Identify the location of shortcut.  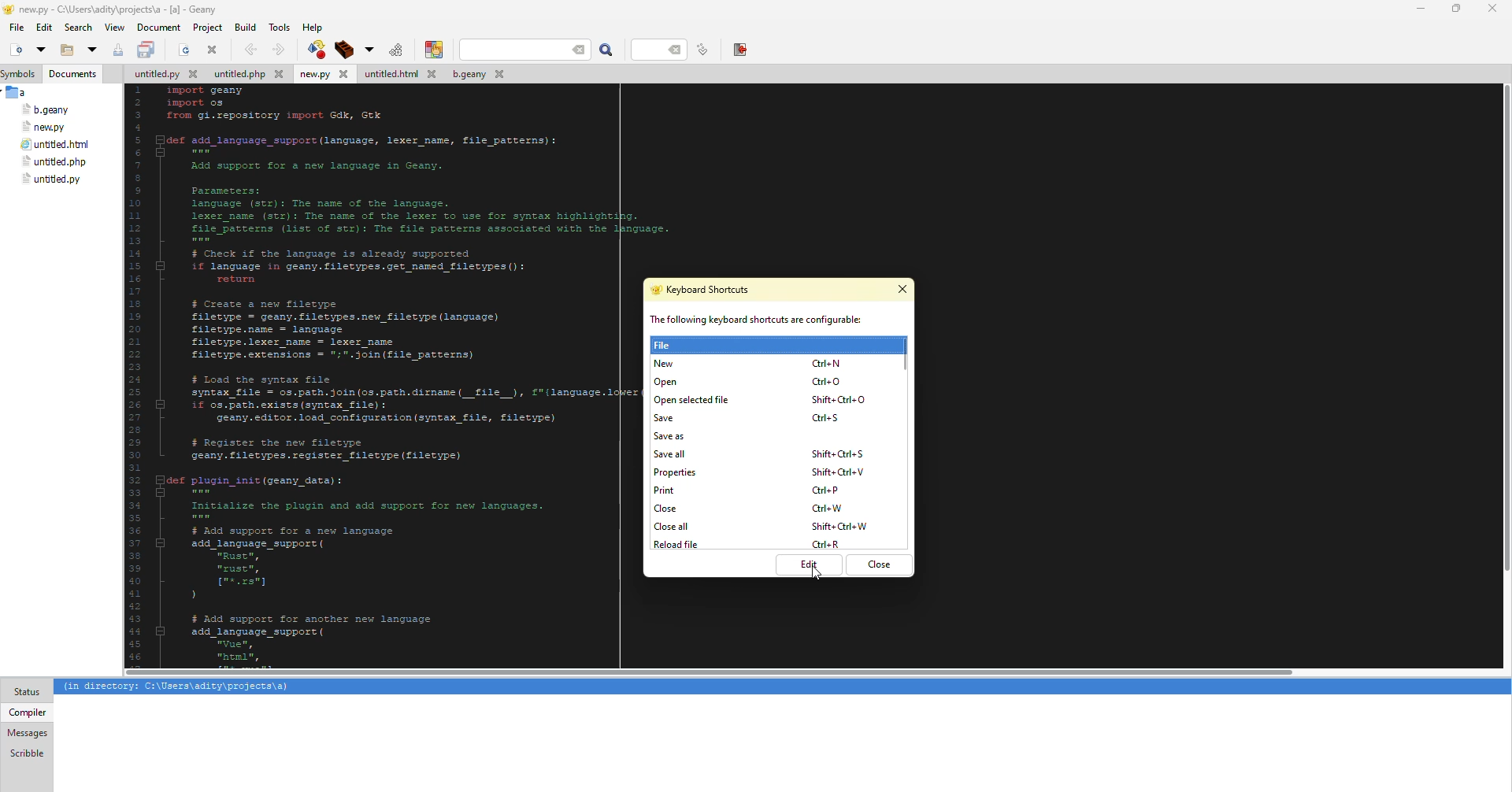
(826, 490).